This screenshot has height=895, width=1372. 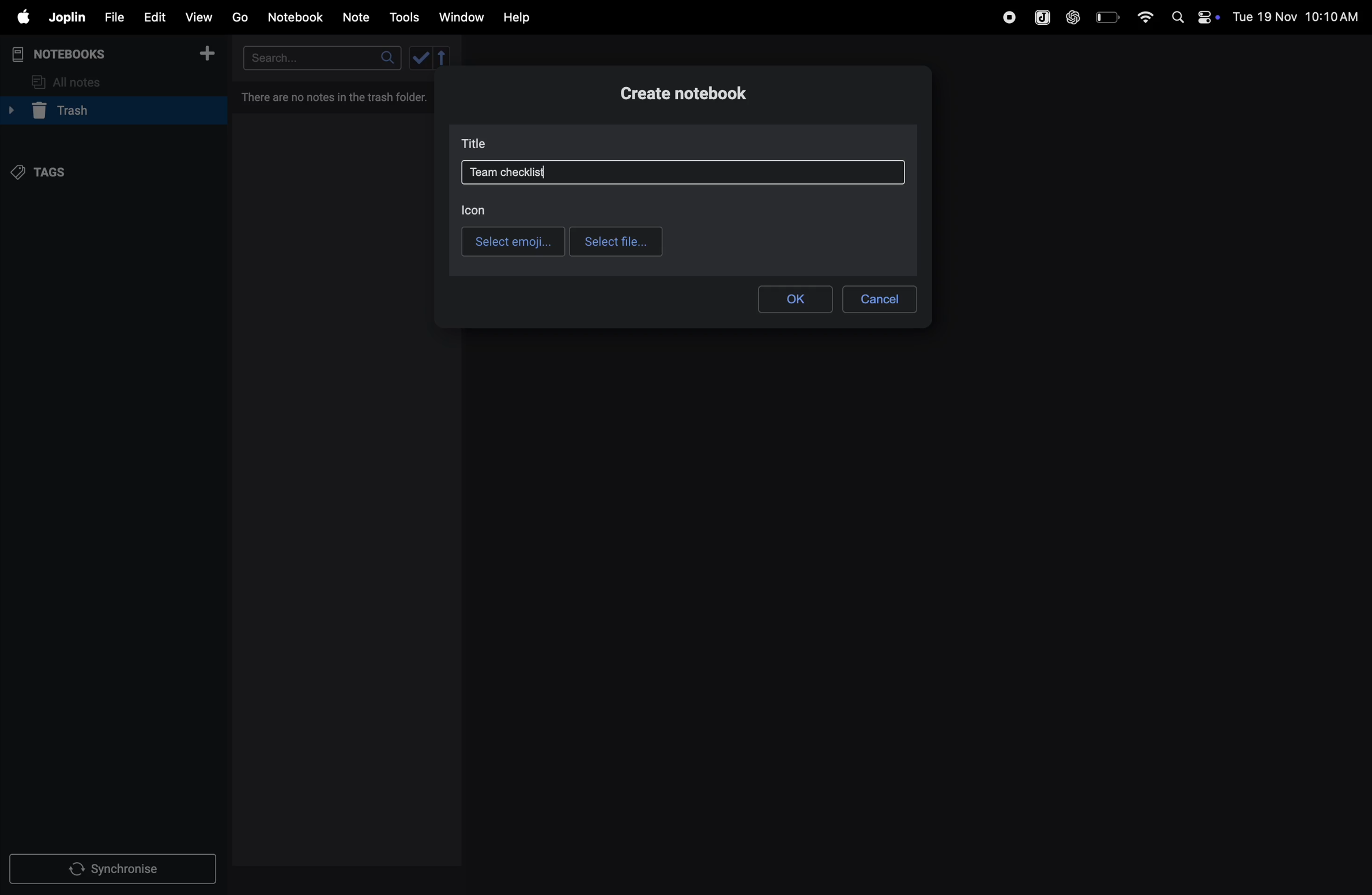 I want to click on Text cursor, so click(x=547, y=175).